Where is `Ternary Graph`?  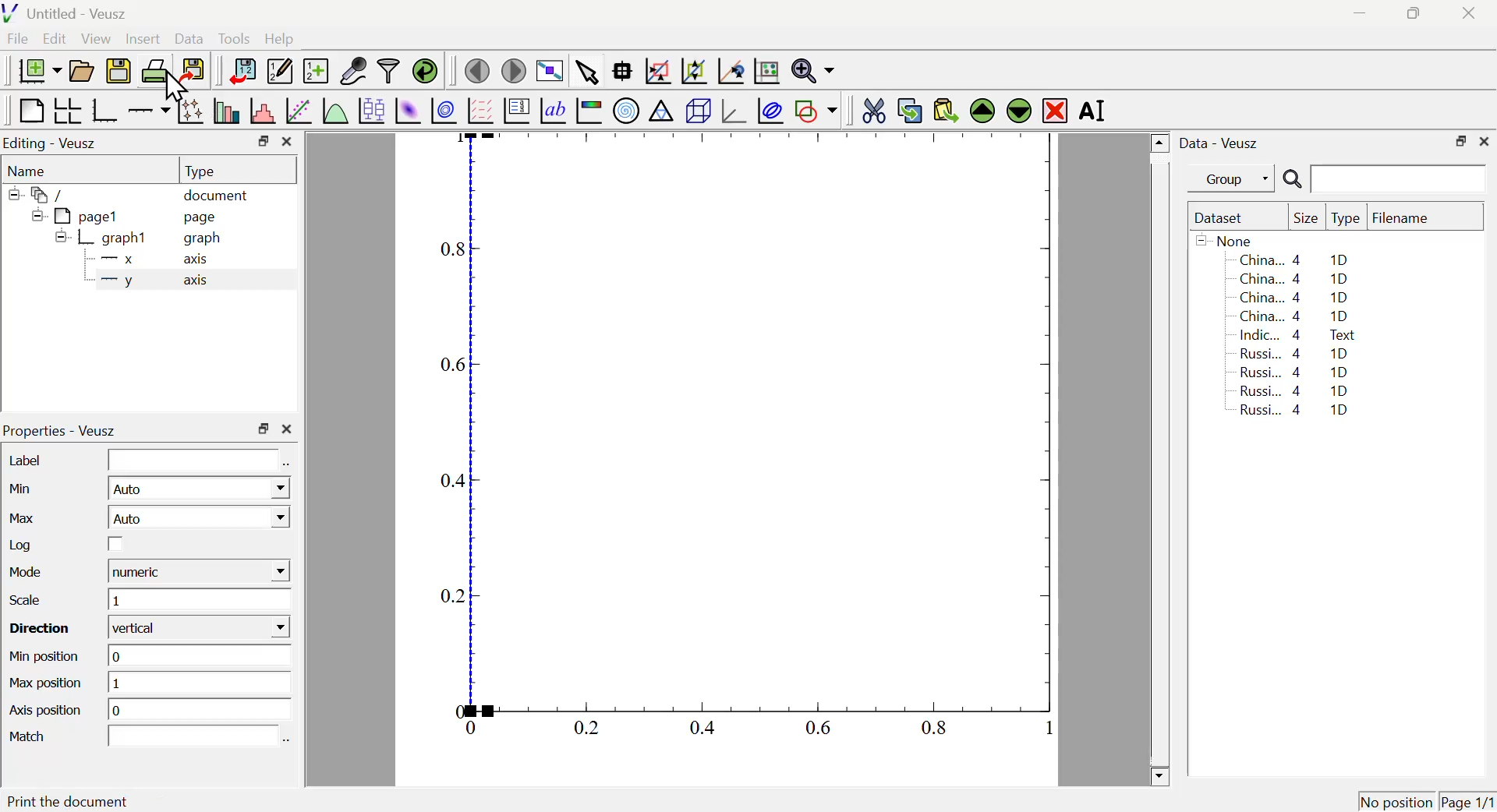 Ternary Graph is located at coordinates (660, 110).